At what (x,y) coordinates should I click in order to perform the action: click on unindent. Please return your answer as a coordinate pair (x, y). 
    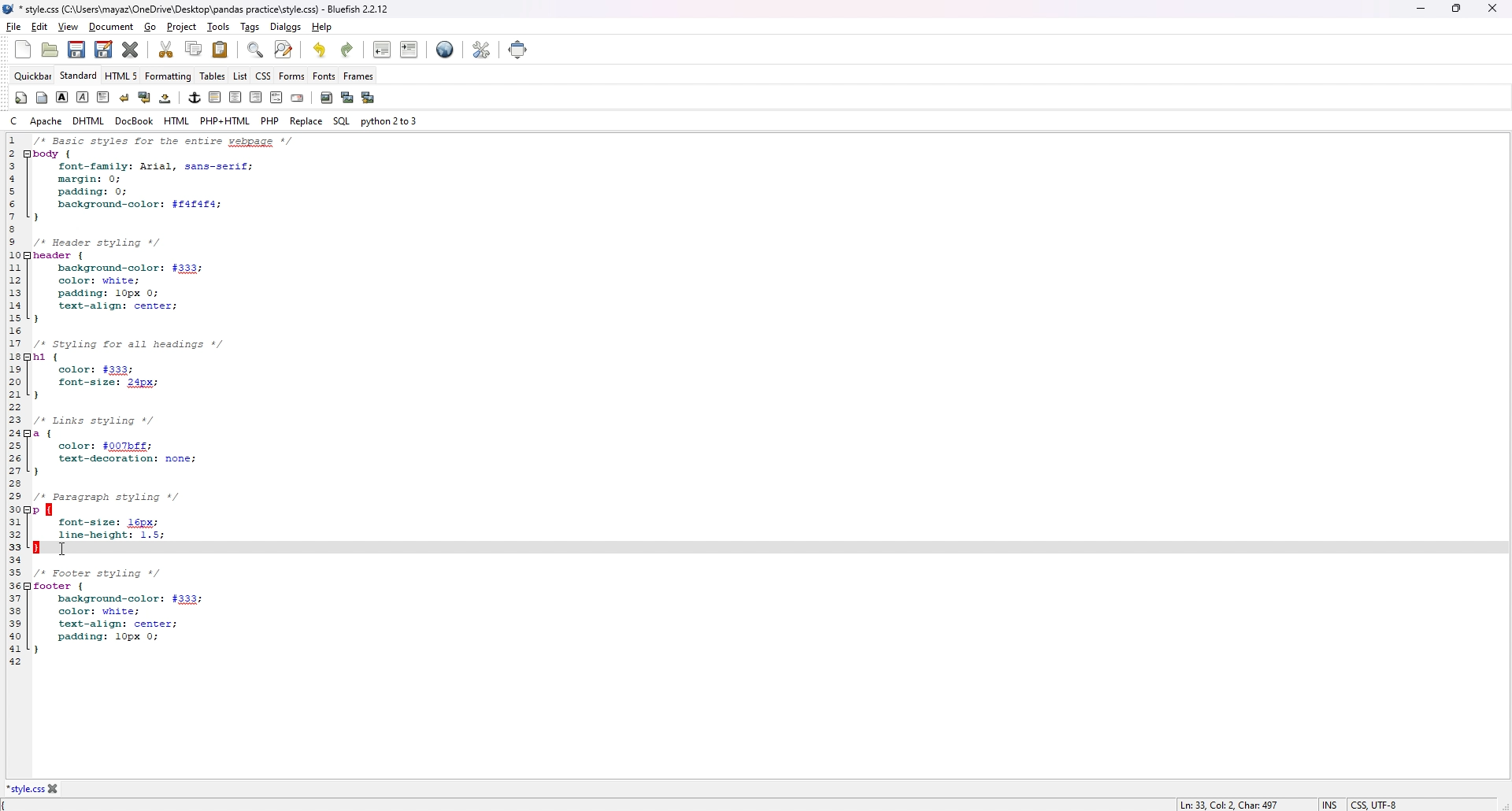
    Looking at the image, I should click on (383, 50).